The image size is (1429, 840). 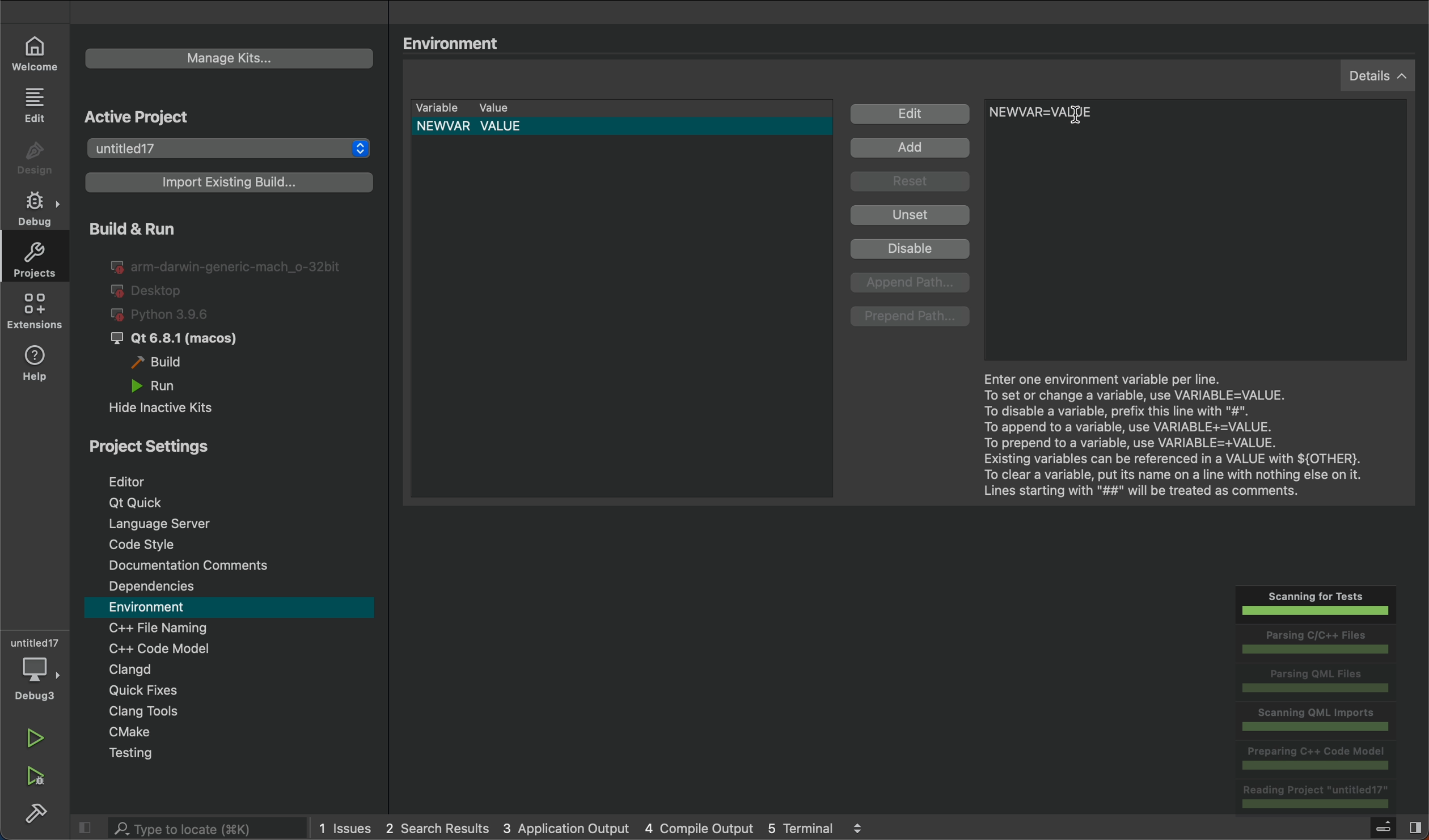 I want to click on projects, so click(x=34, y=257).